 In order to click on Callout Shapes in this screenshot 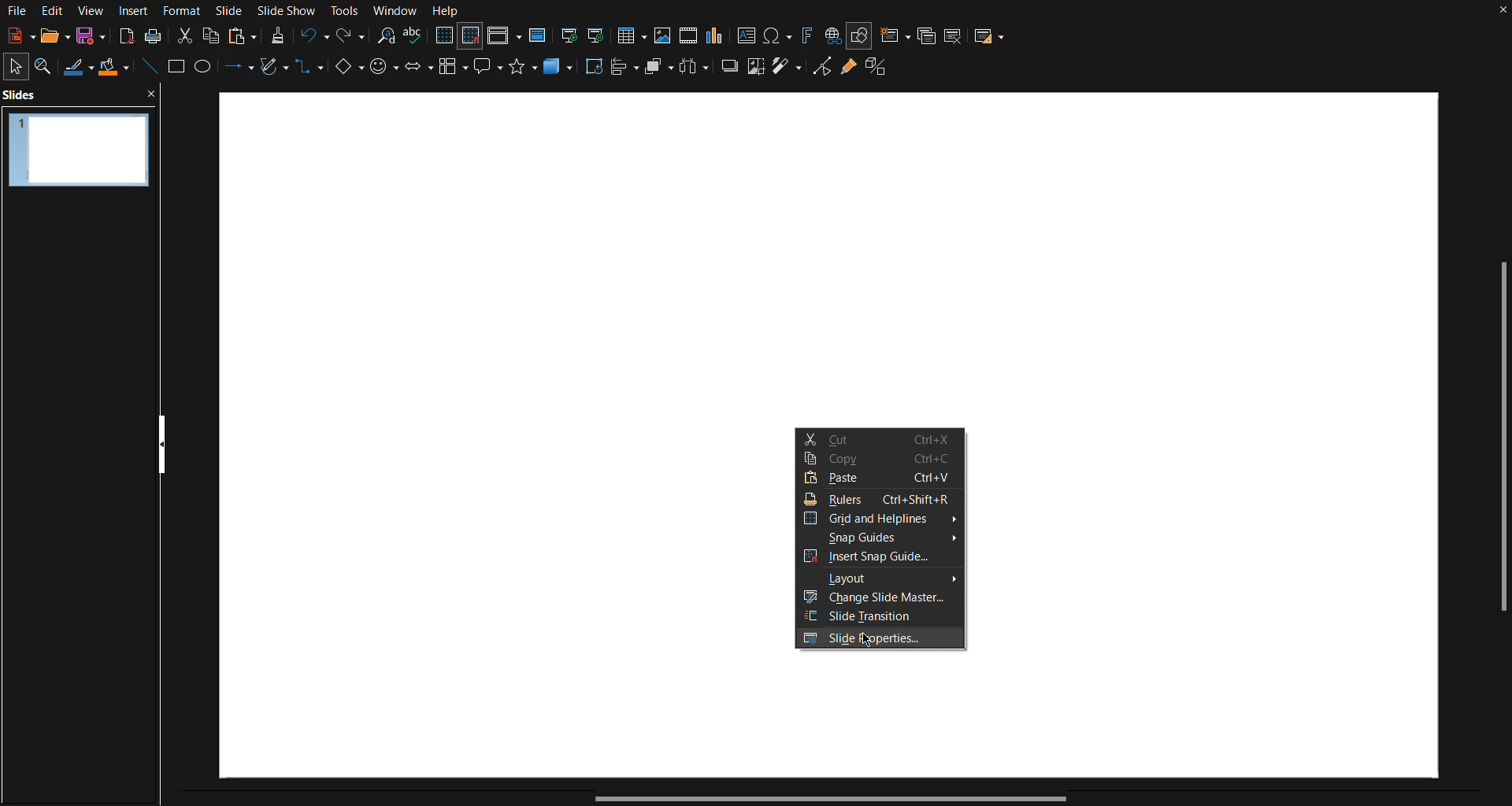, I will do `click(489, 72)`.